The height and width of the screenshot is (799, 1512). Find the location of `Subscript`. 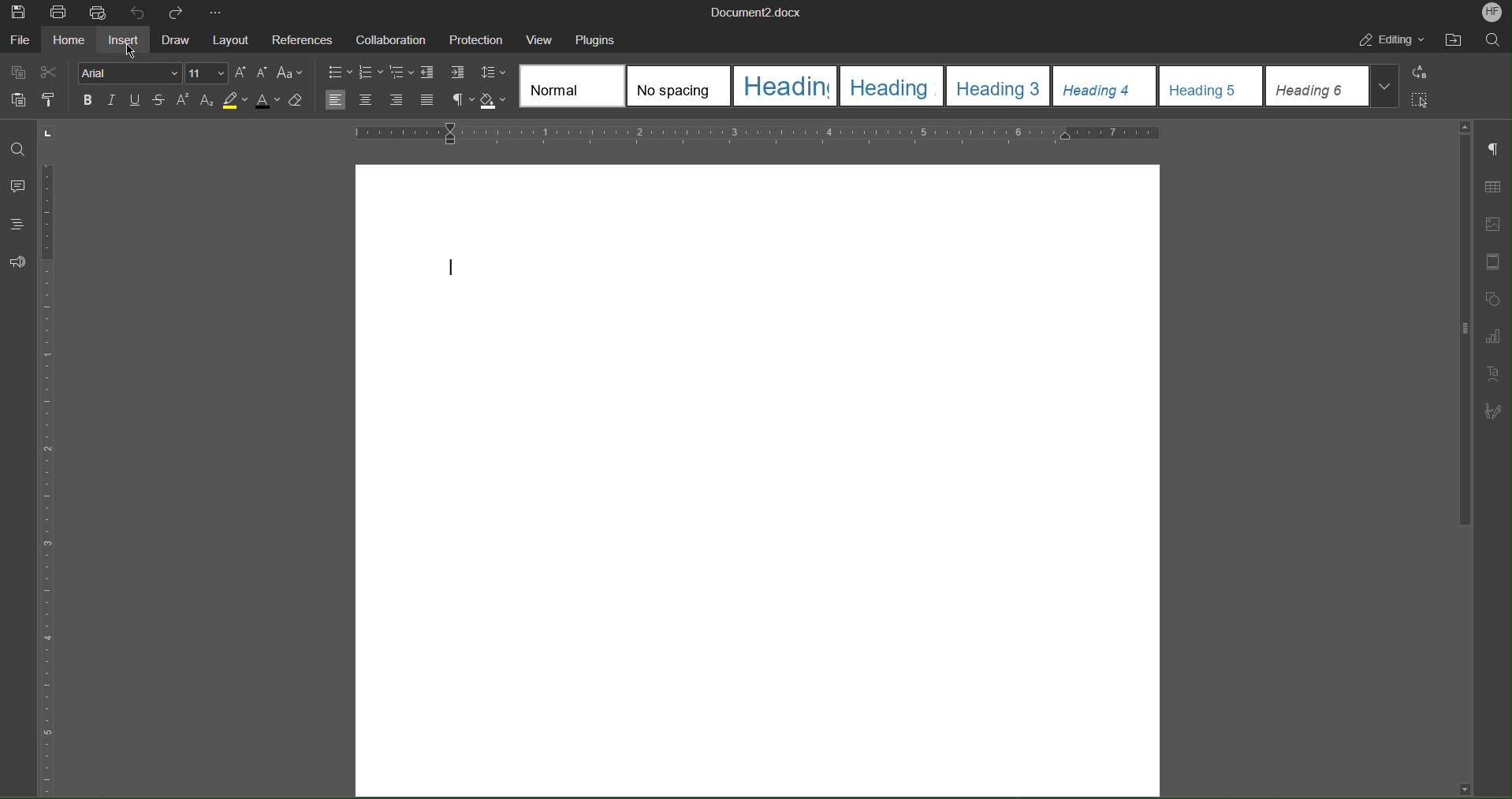

Subscript is located at coordinates (206, 102).